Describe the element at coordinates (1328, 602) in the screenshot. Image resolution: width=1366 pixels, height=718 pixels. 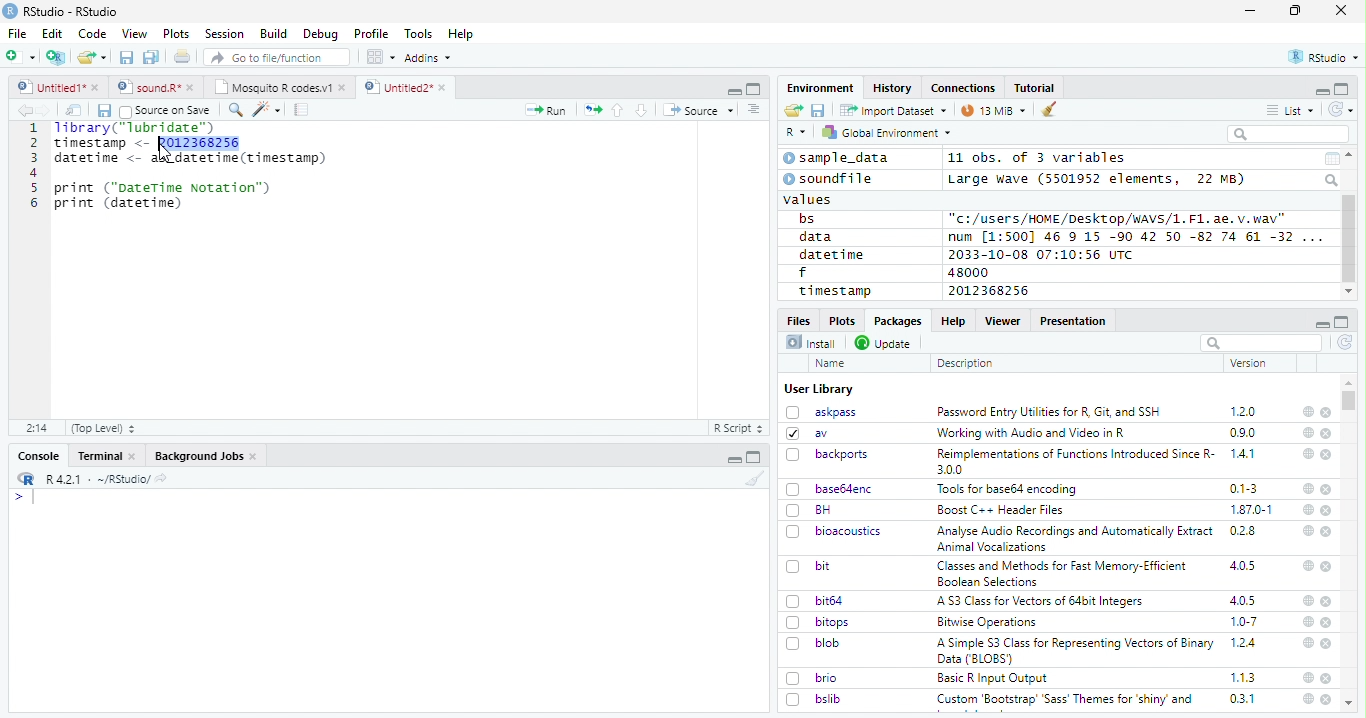
I see `close` at that location.